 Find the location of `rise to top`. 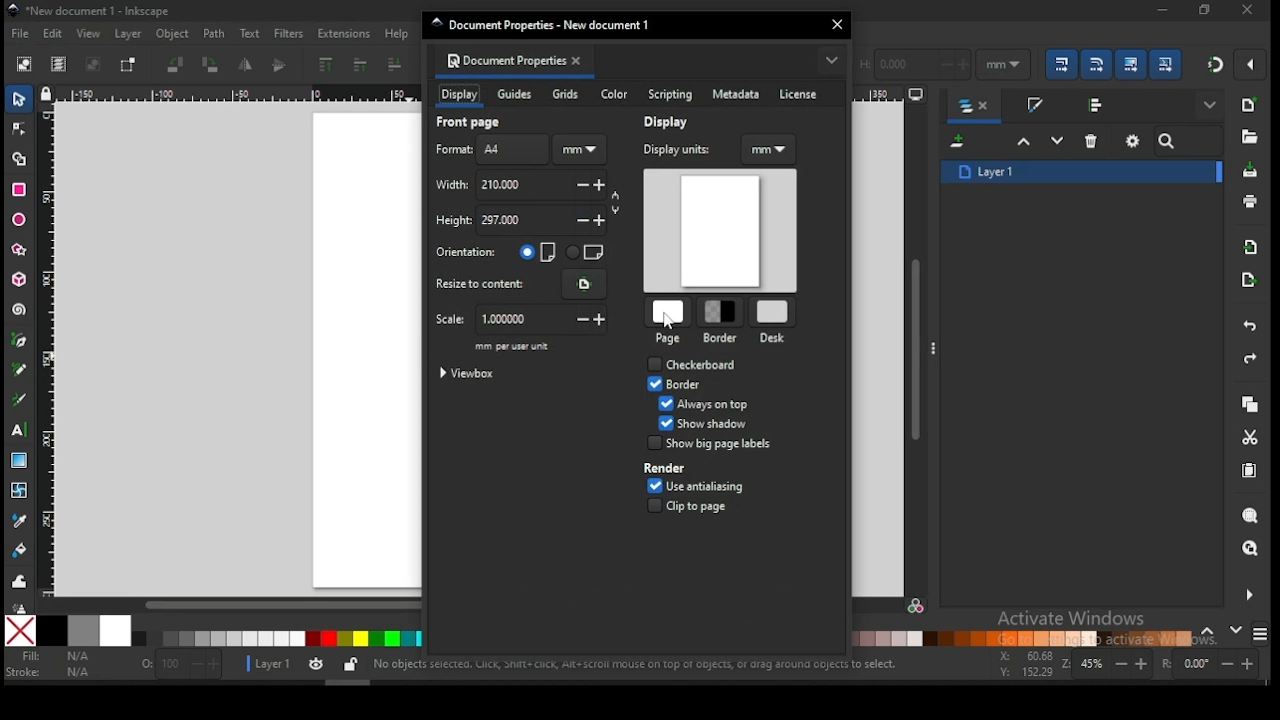

rise to top is located at coordinates (324, 65).